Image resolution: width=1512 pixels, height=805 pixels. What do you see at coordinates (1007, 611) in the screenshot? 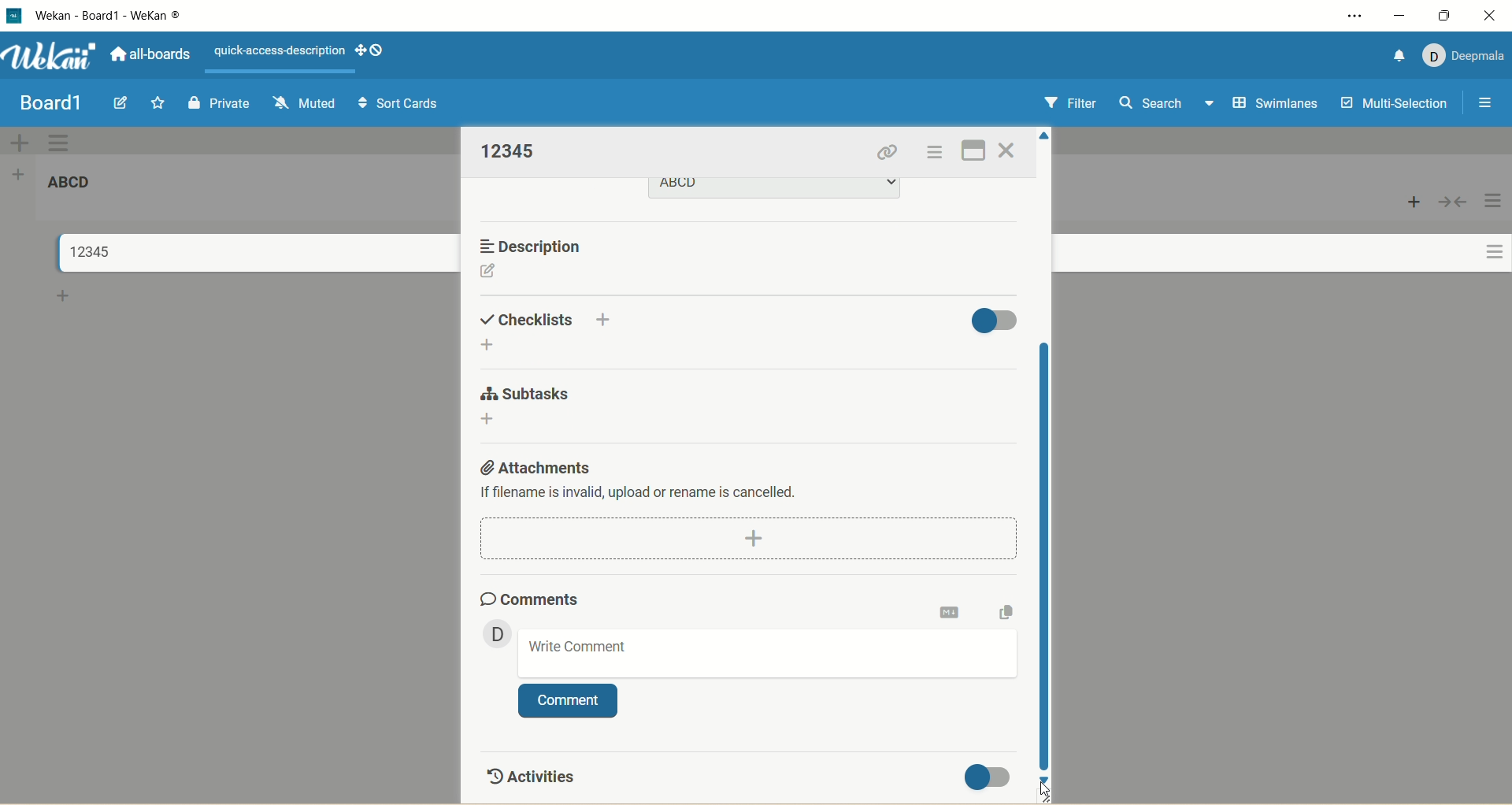
I see `copy` at bounding box center [1007, 611].